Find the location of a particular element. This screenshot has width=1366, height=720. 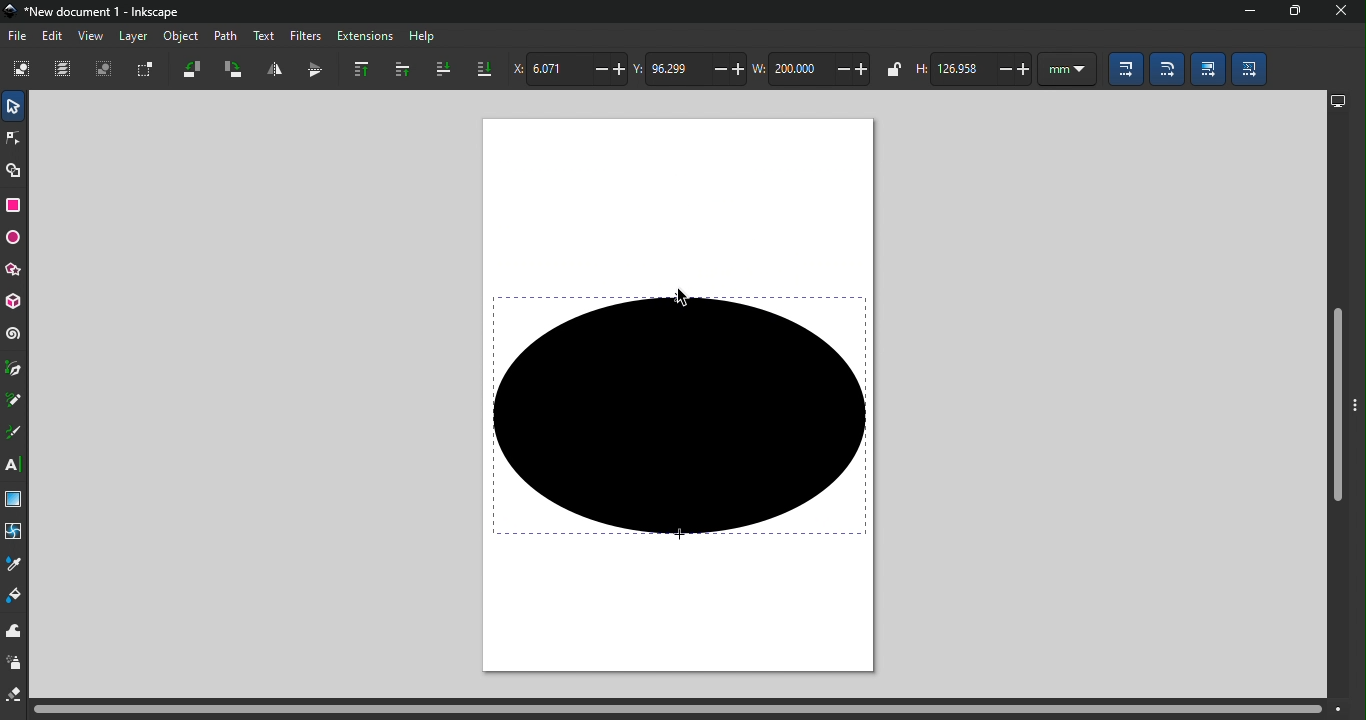

Raise selection one step is located at coordinates (402, 72).